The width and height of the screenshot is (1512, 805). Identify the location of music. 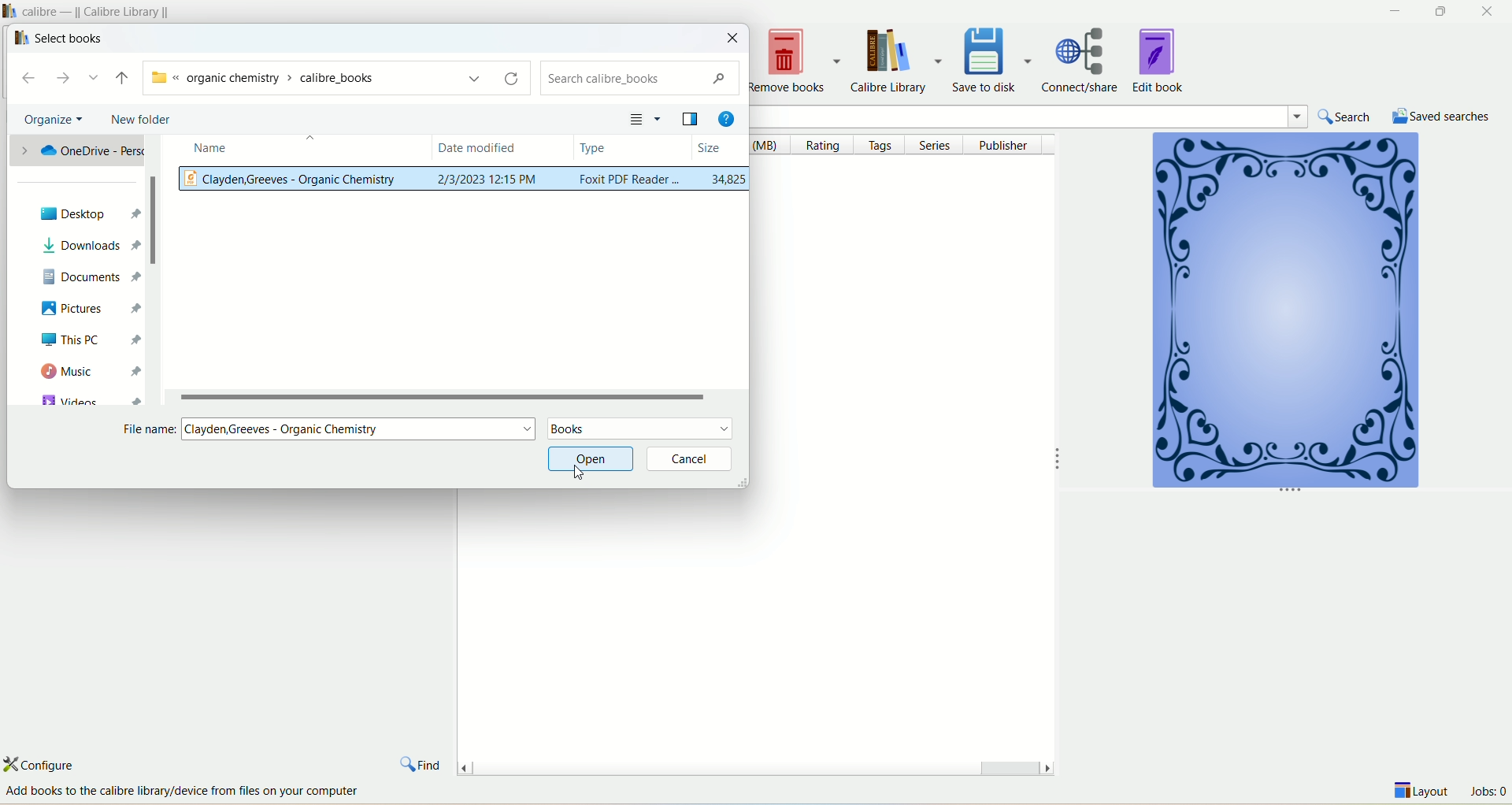
(88, 372).